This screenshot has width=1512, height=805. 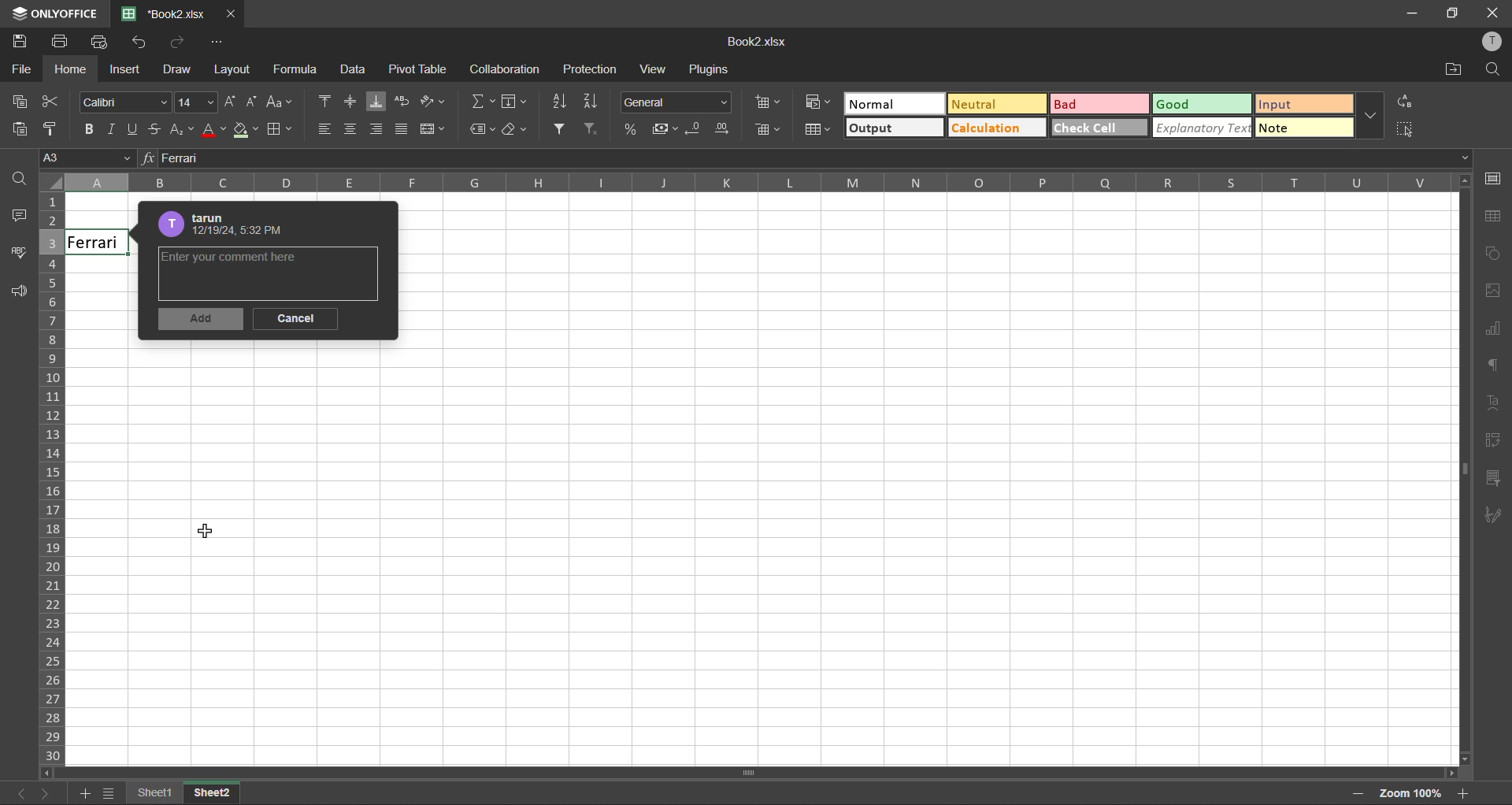 What do you see at coordinates (245, 132) in the screenshot?
I see `fill color` at bounding box center [245, 132].